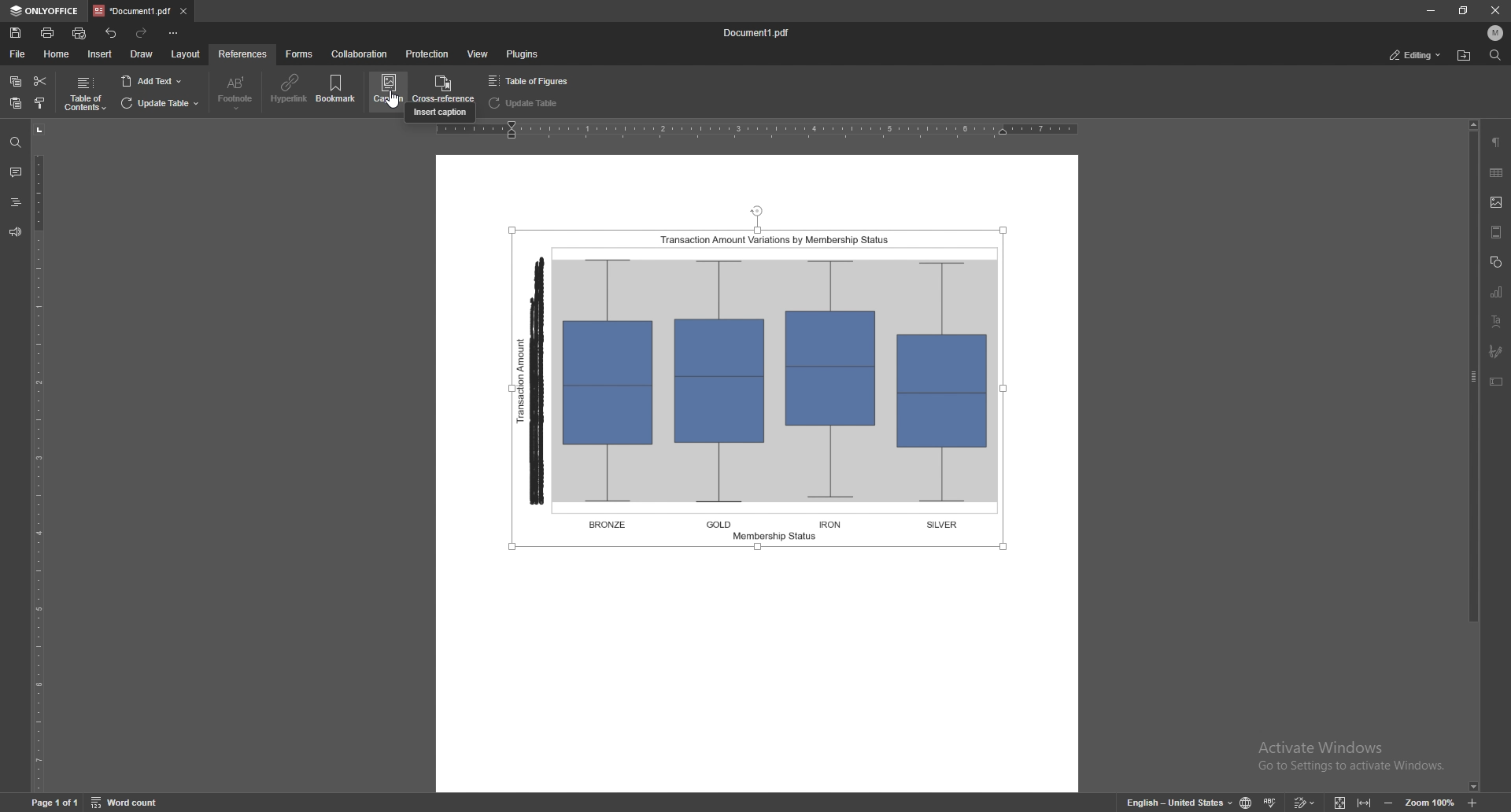  Describe the element at coordinates (54, 801) in the screenshot. I see `page` at that location.